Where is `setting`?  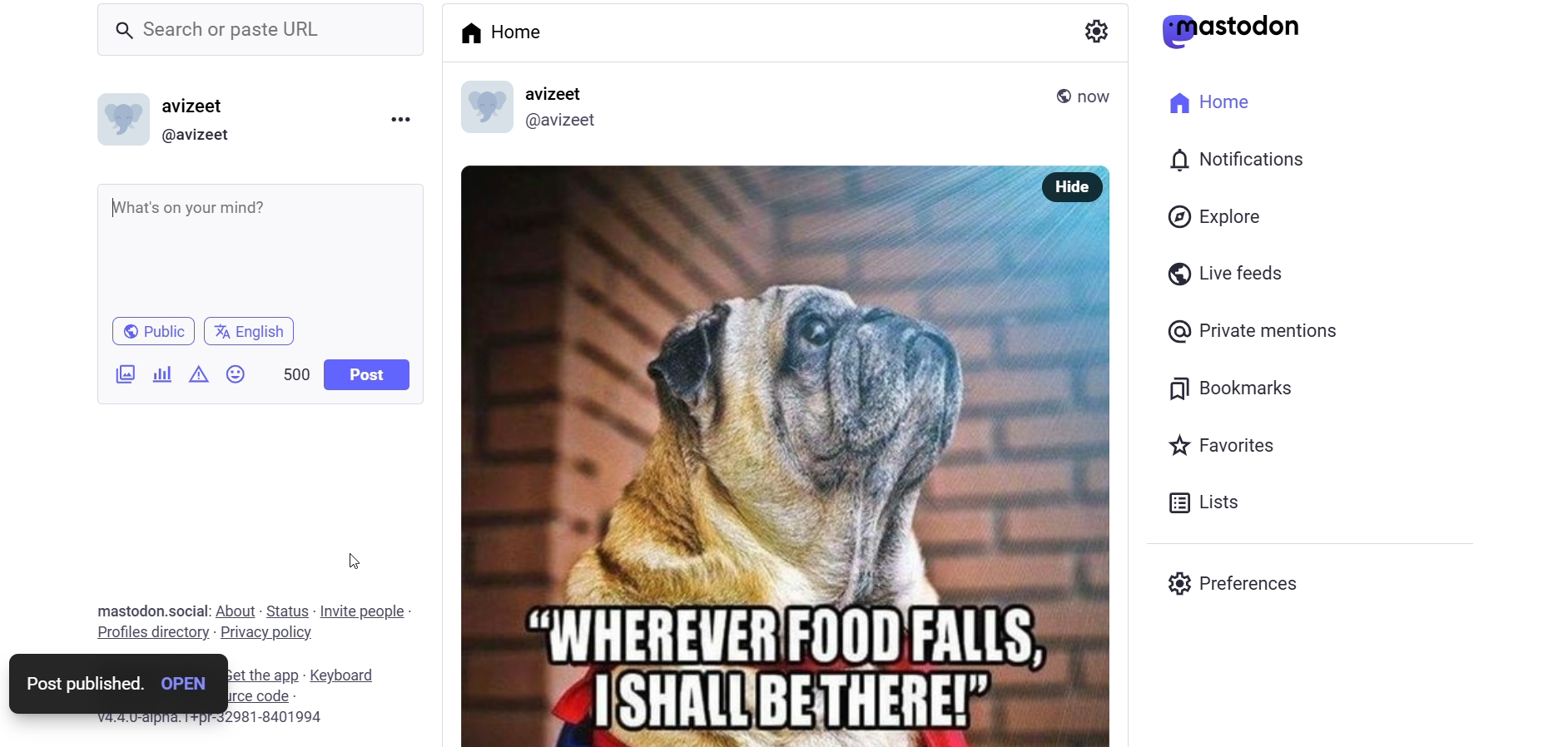 setting is located at coordinates (1093, 27).